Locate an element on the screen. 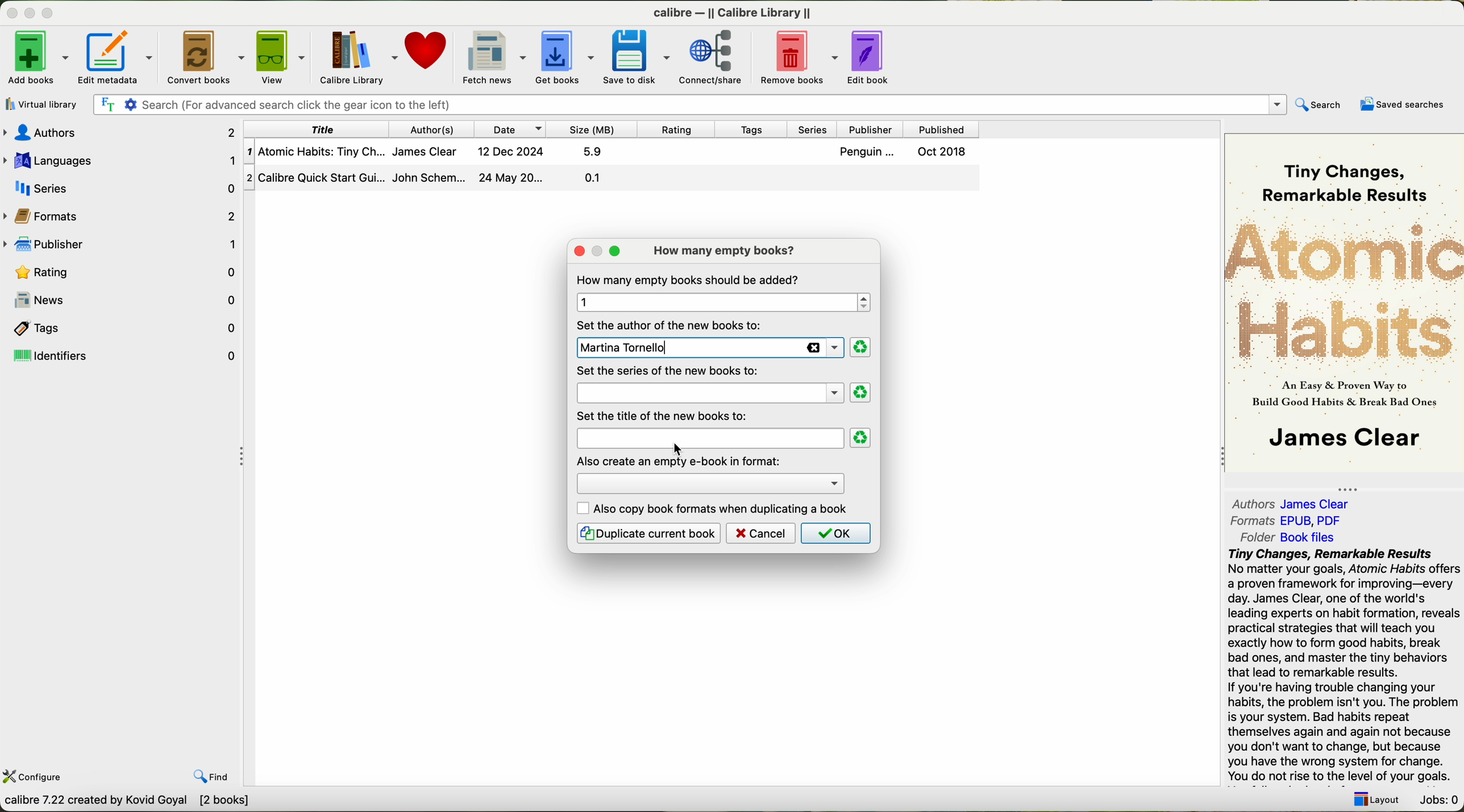  how many empty books shoul be added? is located at coordinates (690, 280).